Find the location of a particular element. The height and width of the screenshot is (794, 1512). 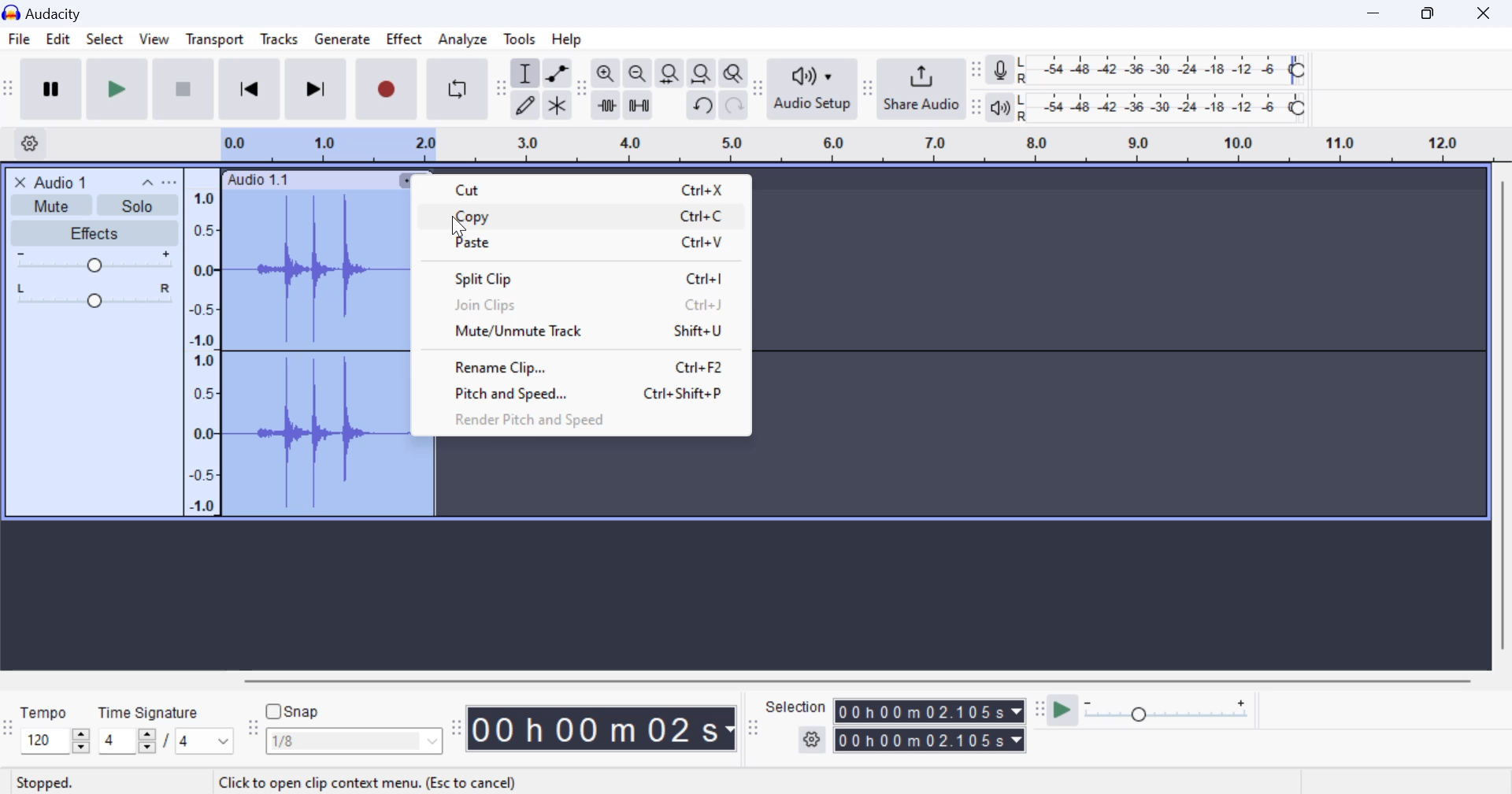

cursor is located at coordinates (461, 230).